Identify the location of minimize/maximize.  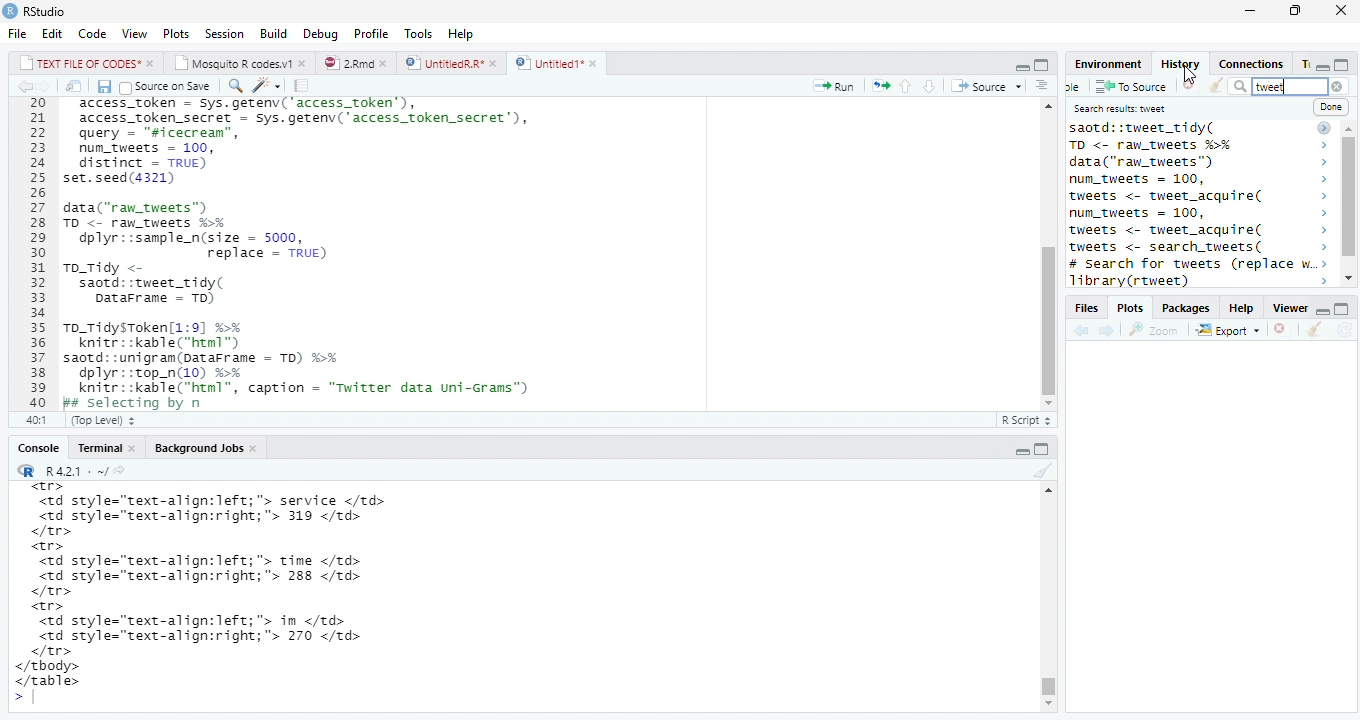
(1336, 306).